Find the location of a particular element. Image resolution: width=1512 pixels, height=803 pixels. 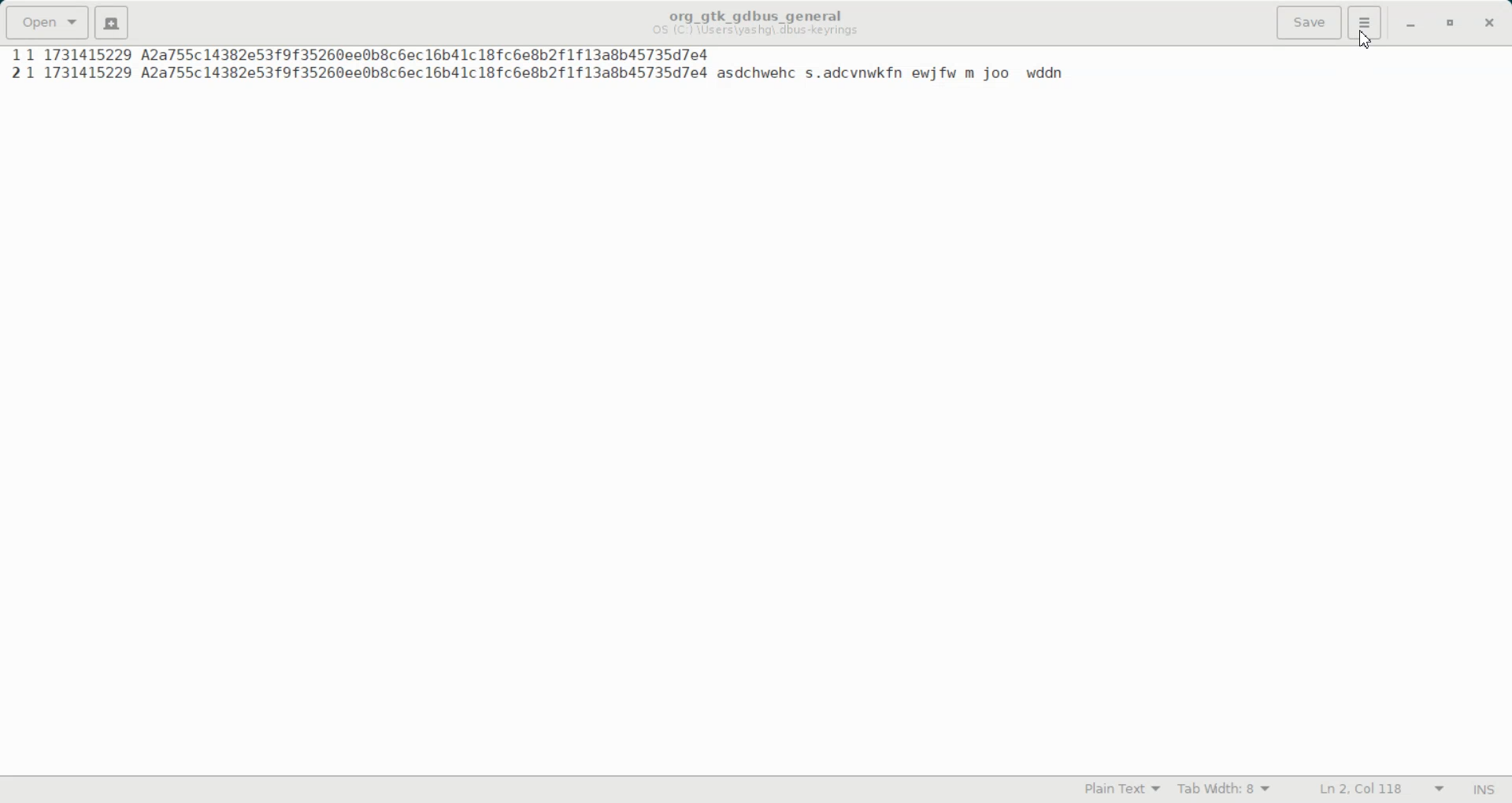

Plain Text is located at coordinates (1120, 789).